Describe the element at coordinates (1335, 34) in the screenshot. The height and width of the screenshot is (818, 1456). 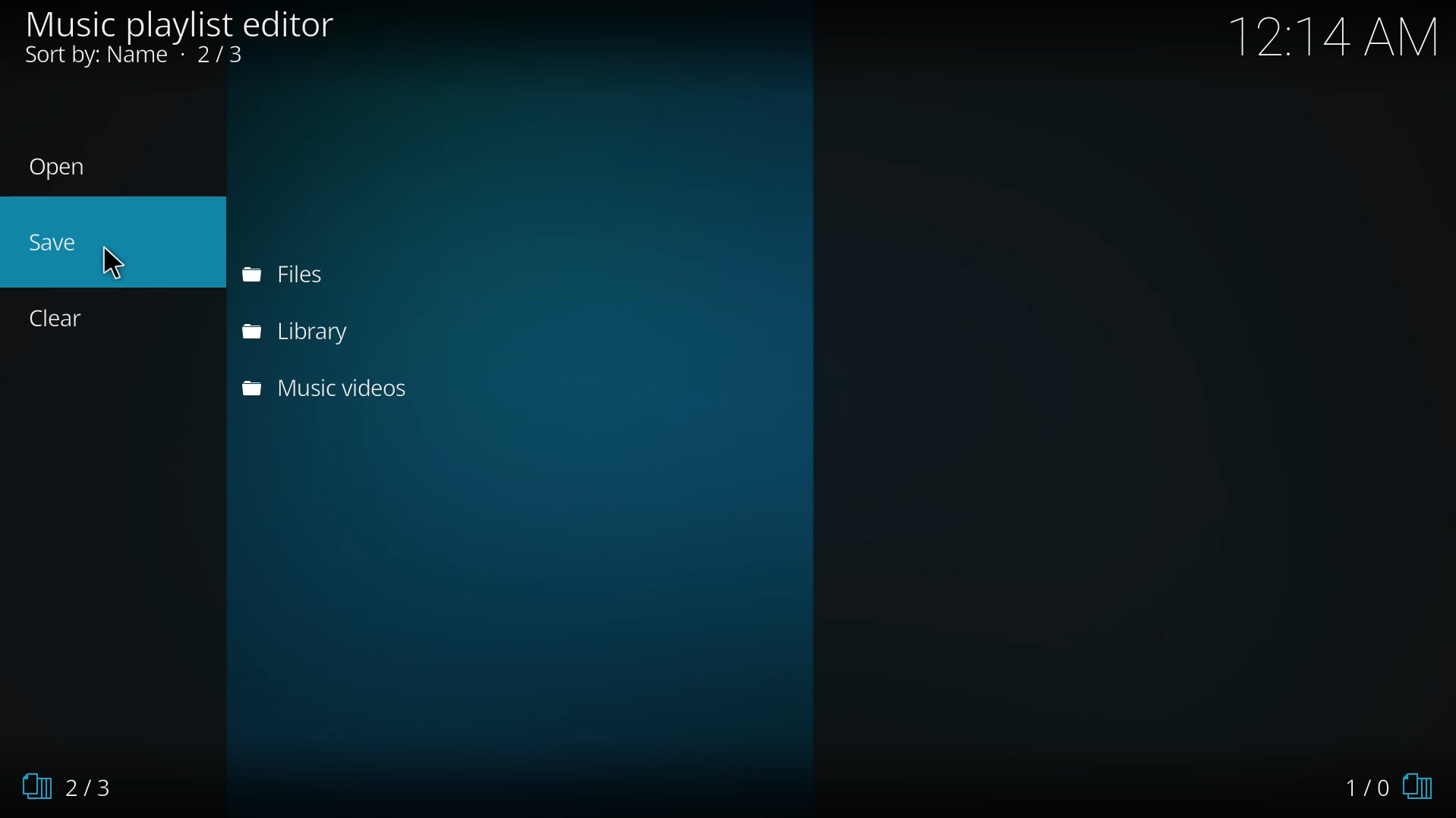
I see `time` at that location.